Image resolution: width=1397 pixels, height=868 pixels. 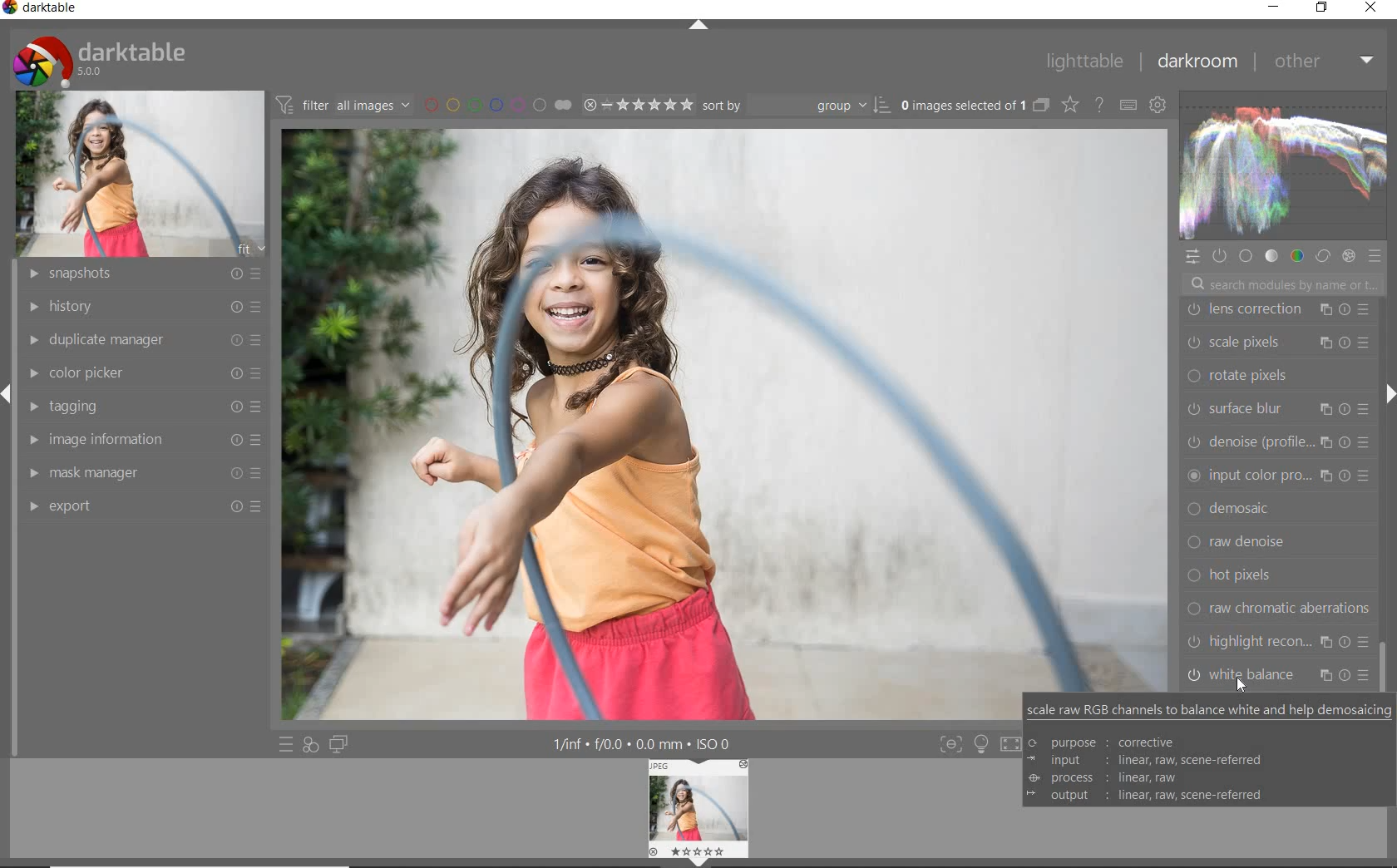 What do you see at coordinates (697, 28) in the screenshot?
I see `expand / collapse` at bounding box center [697, 28].